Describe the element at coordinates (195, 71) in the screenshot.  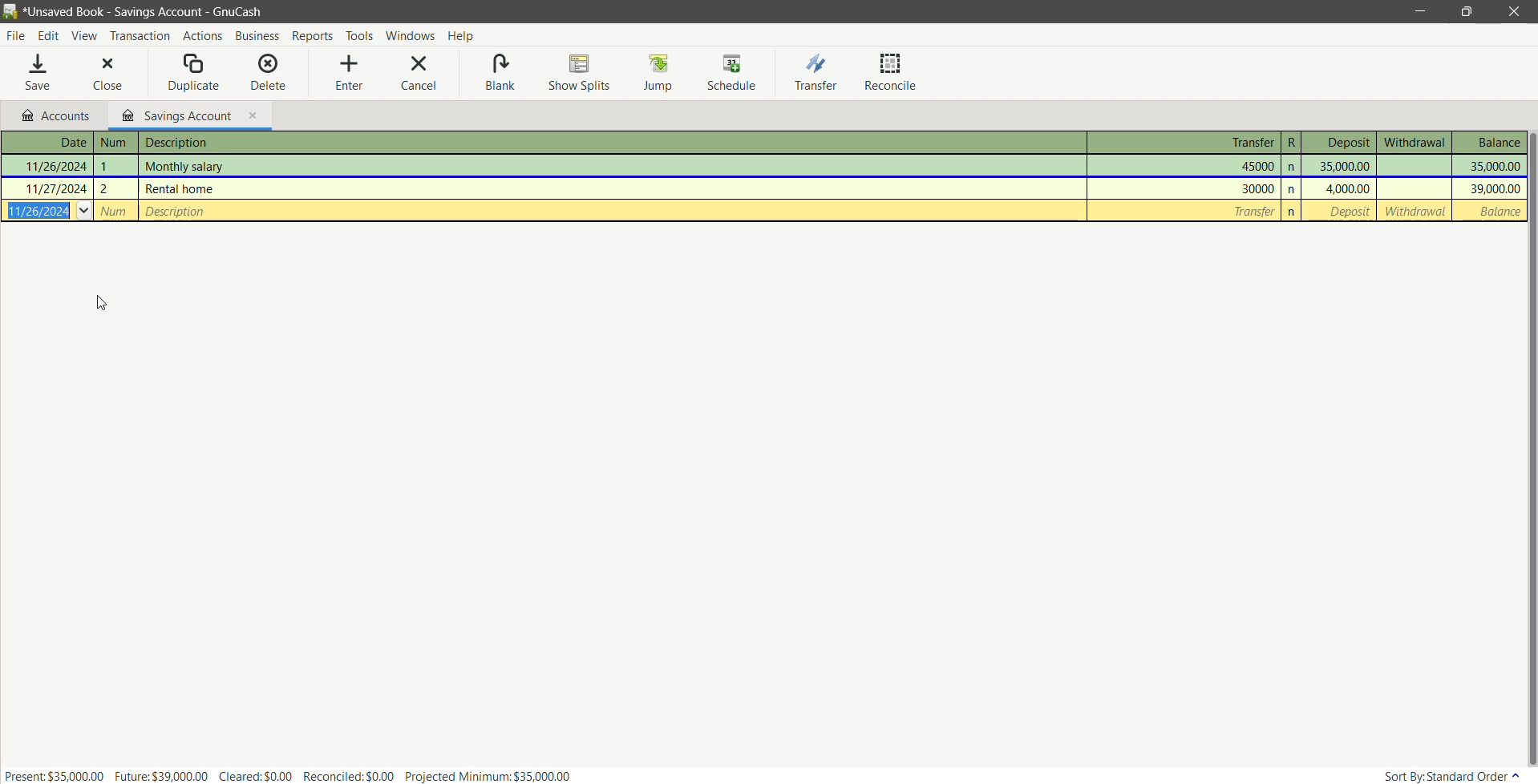
I see `Duplicate` at that location.